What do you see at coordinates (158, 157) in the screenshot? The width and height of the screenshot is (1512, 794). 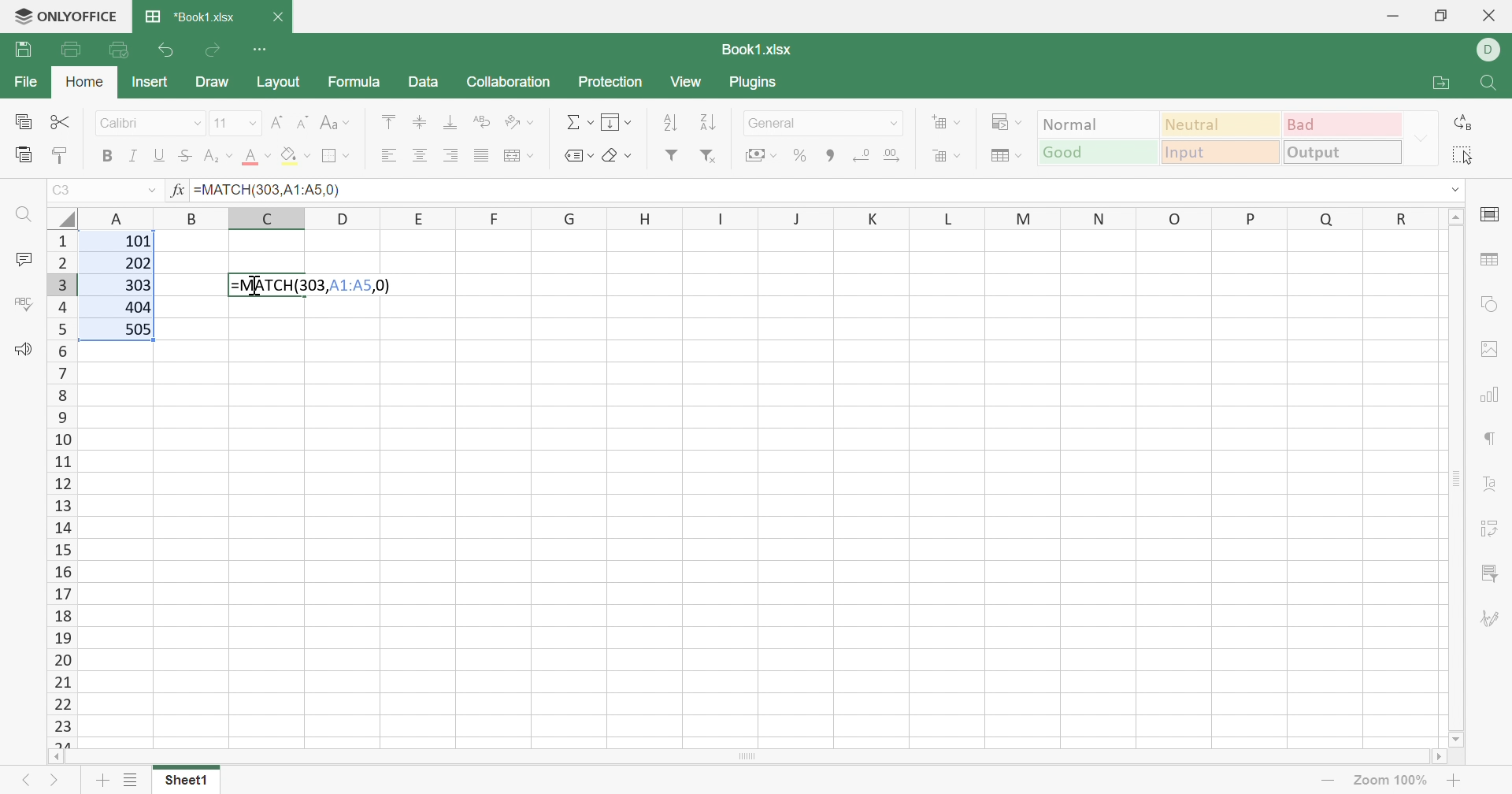 I see `Underline` at bounding box center [158, 157].